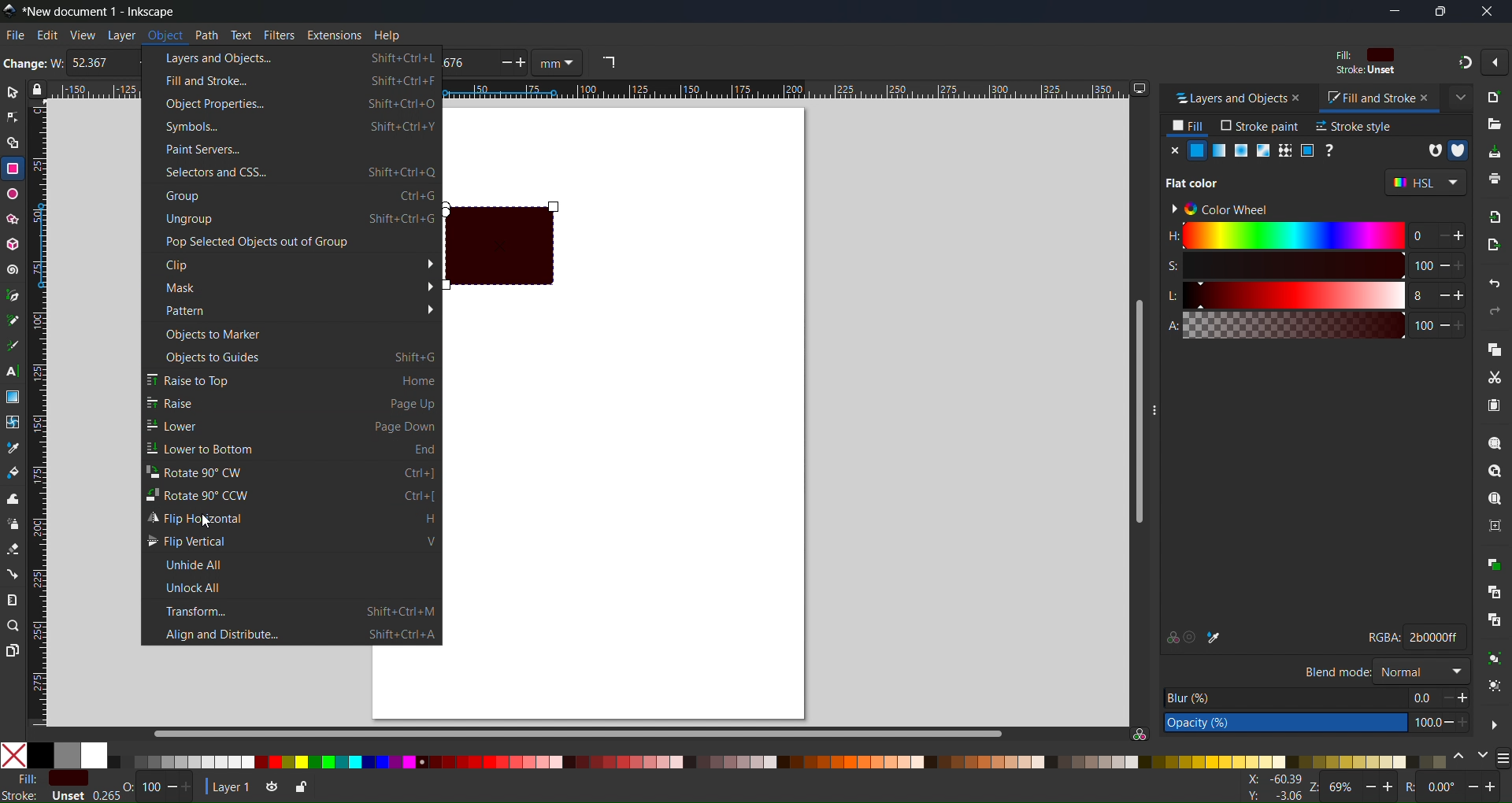 This screenshot has height=803, width=1512. I want to click on flat color, so click(1199, 182).